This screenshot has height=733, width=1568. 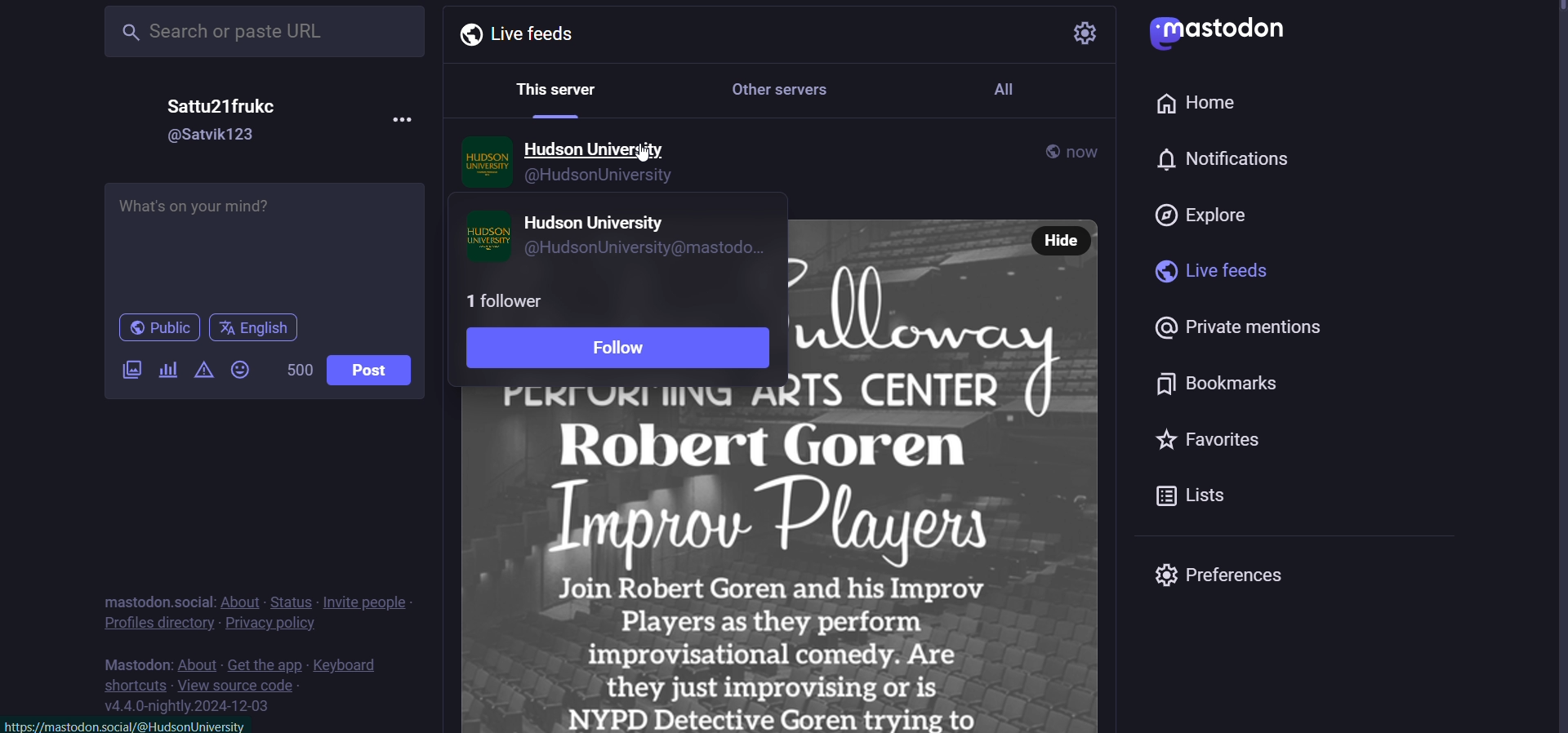 What do you see at coordinates (1245, 330) in the screenshot?
I see `private mention` at bounding box center [1245, 330].